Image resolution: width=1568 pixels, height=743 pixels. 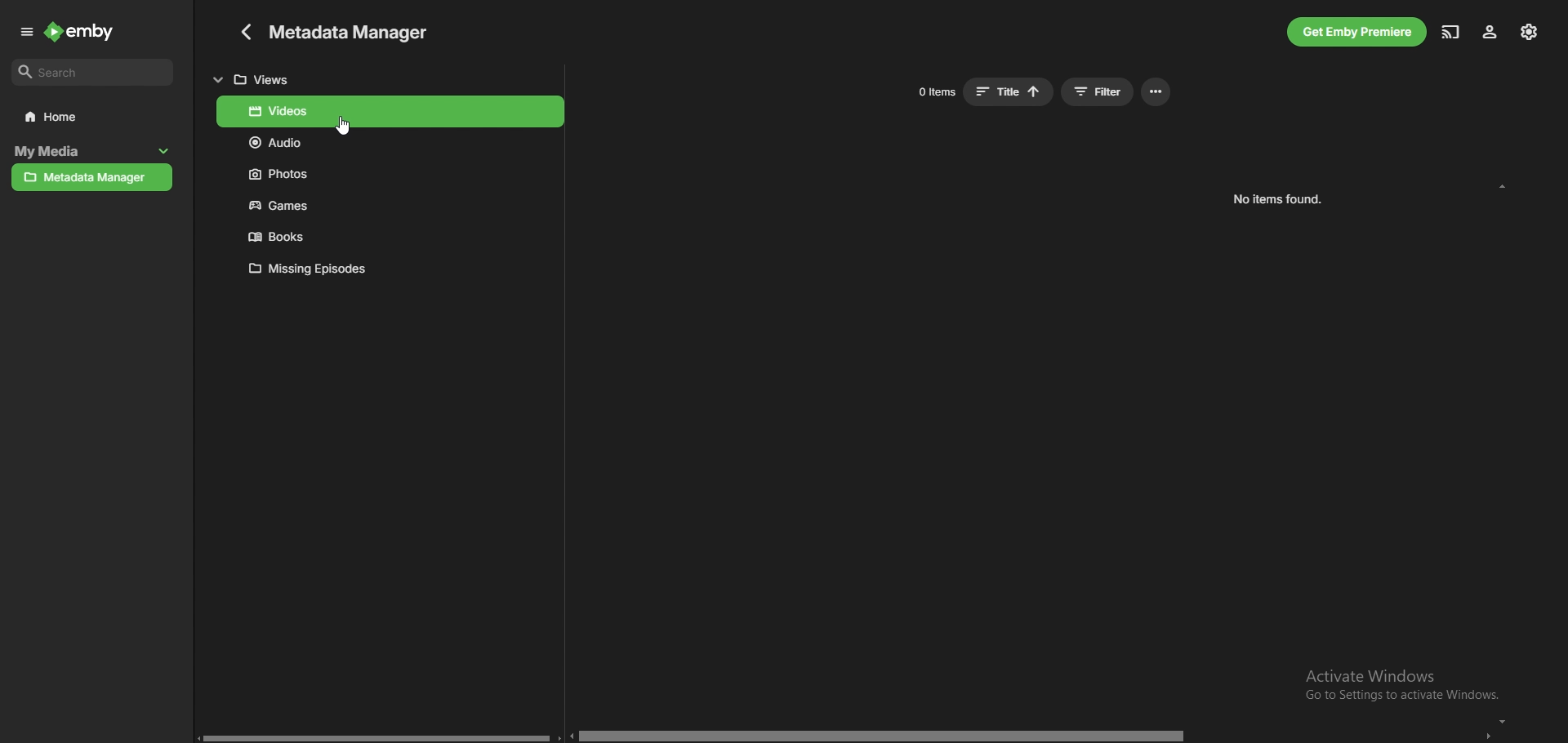 I want to click on no items found, so click(x=1276, y=198).